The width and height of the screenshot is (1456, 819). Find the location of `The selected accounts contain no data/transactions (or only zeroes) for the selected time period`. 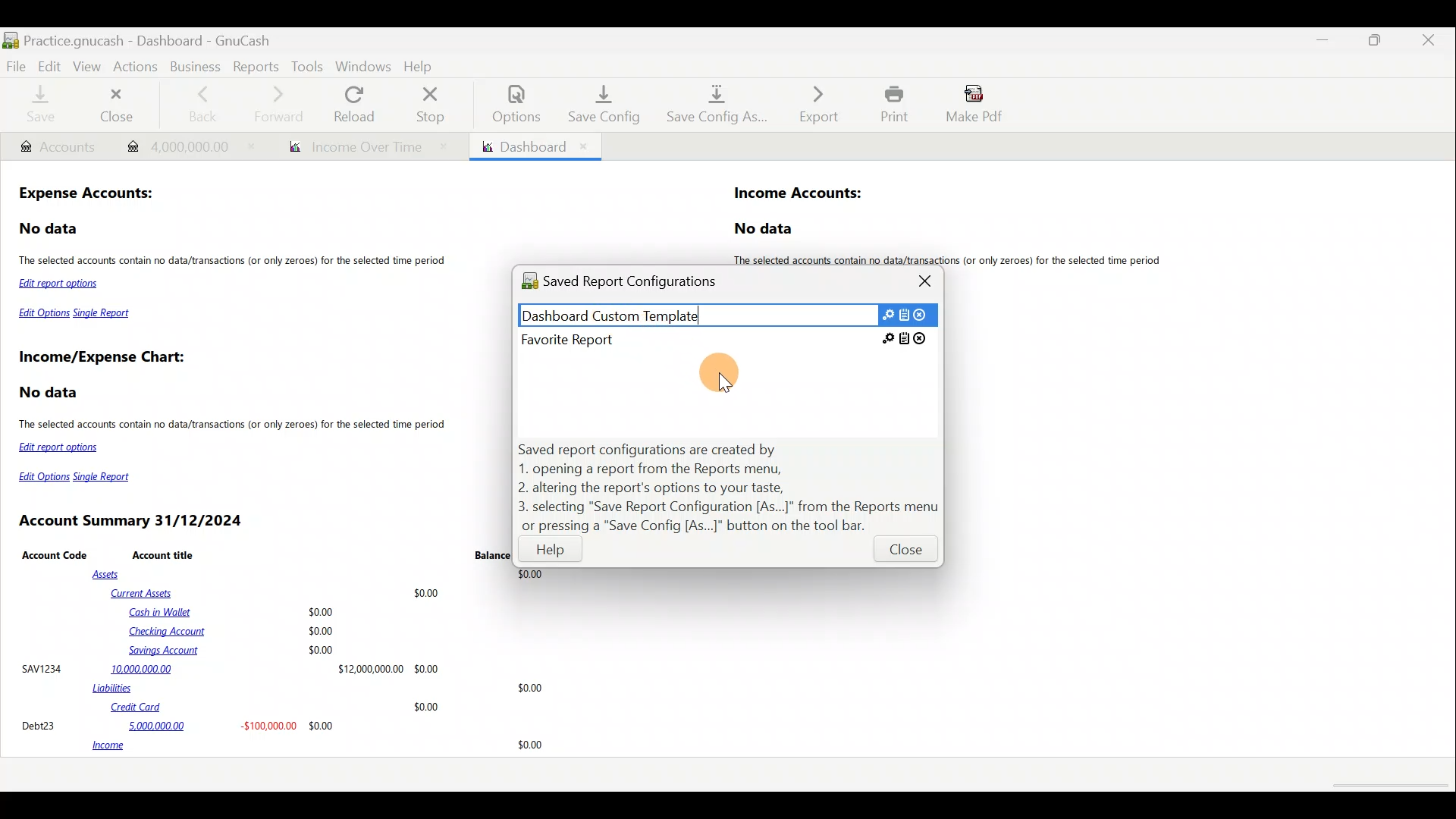

The selected accounts contain no data/transactions (or only zeroes) for the selected time period is located at coordinates (235, 262).